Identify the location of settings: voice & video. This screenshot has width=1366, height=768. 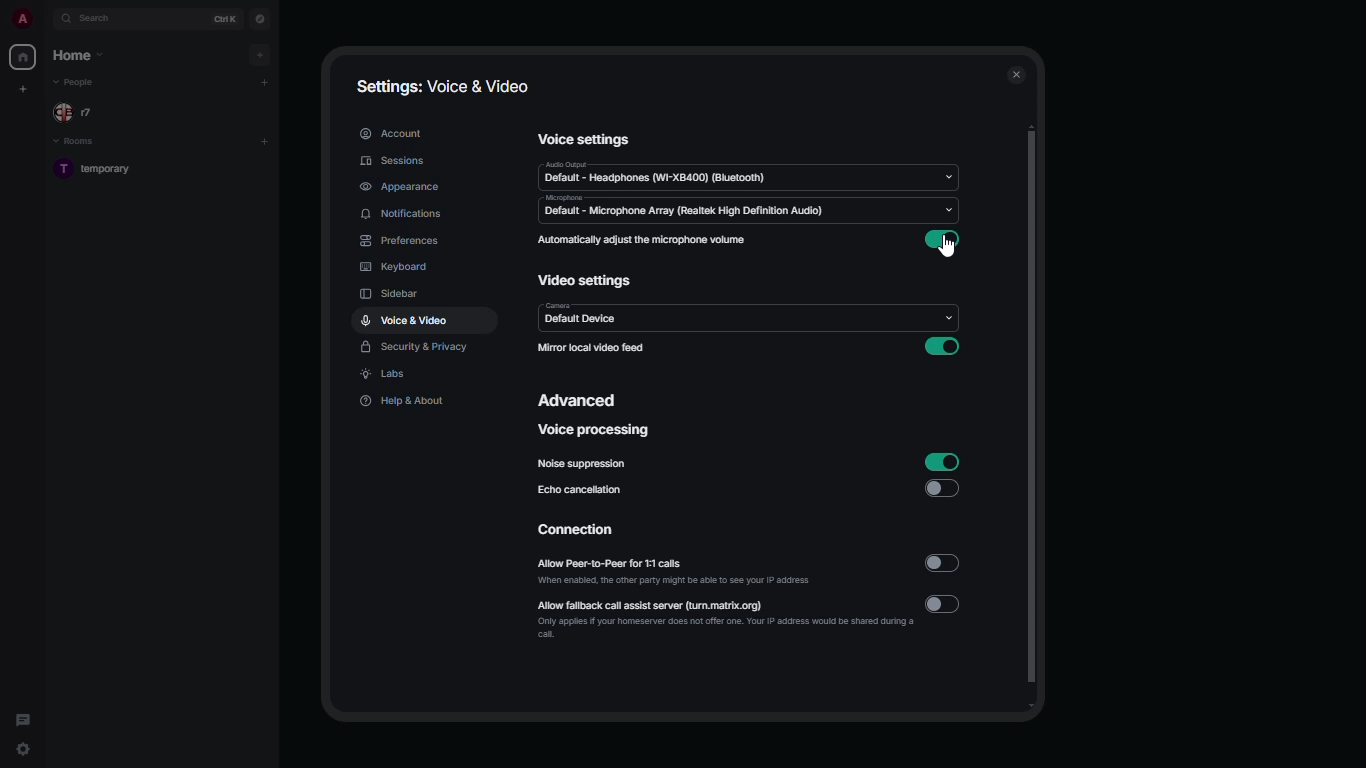
(440, 86).